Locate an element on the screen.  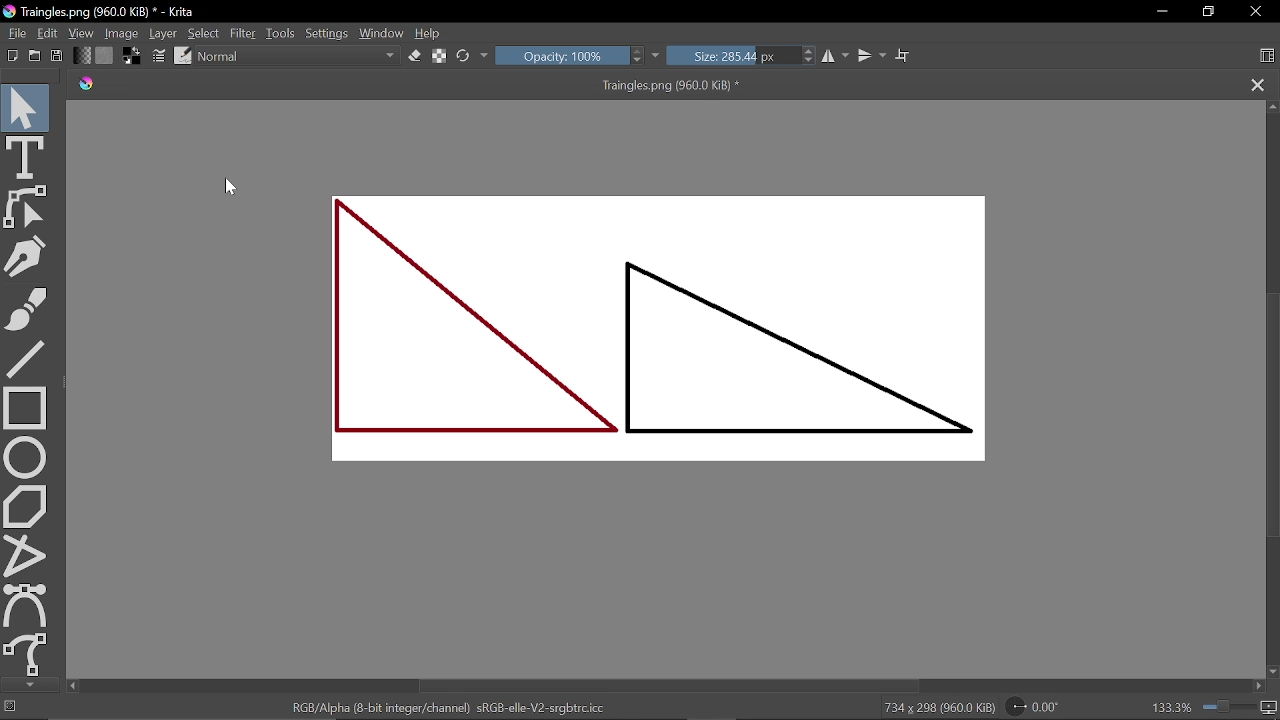
Move down is located at coordinates (1272, 671).